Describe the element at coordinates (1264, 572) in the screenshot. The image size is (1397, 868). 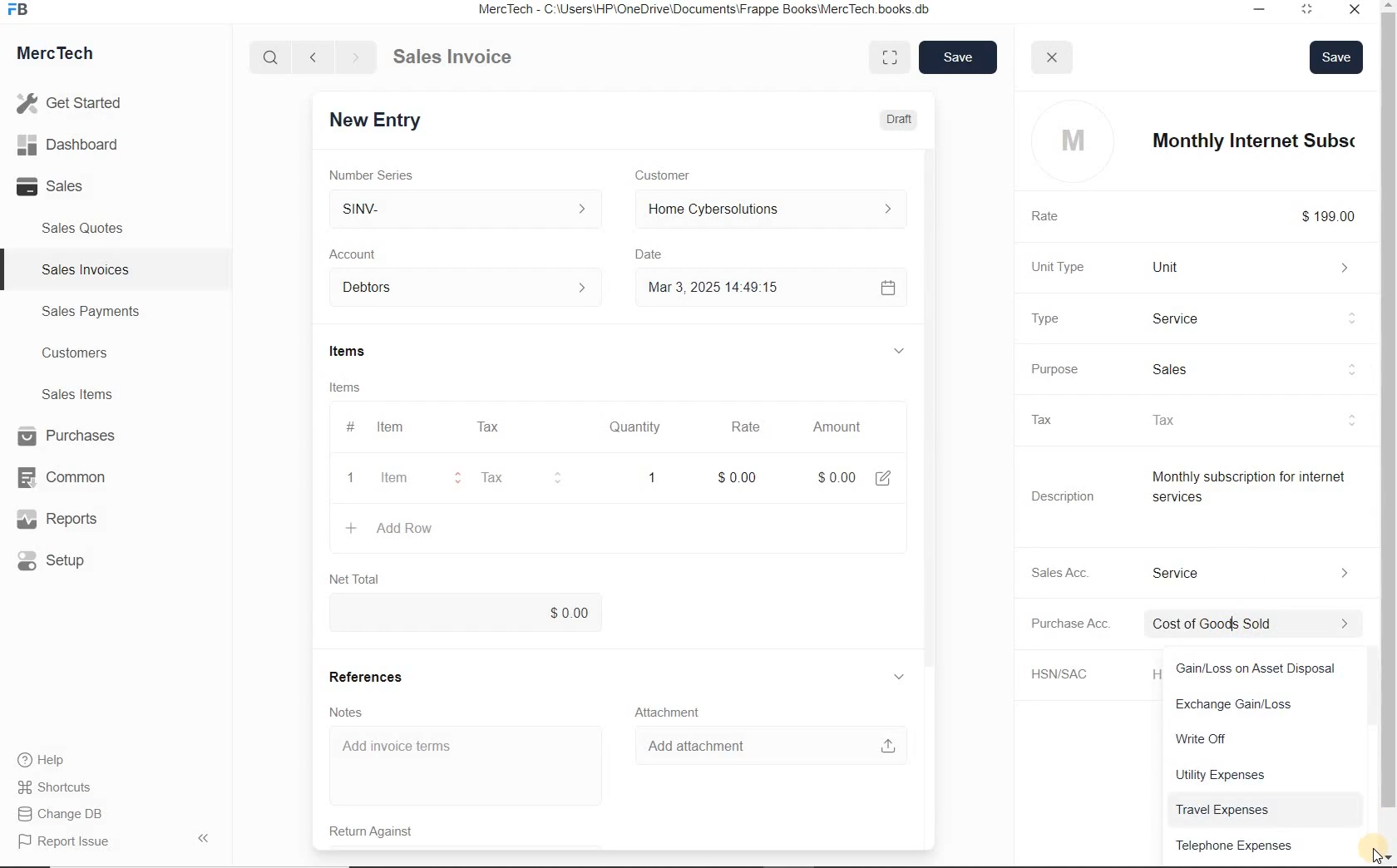
I see `Income` at that location.